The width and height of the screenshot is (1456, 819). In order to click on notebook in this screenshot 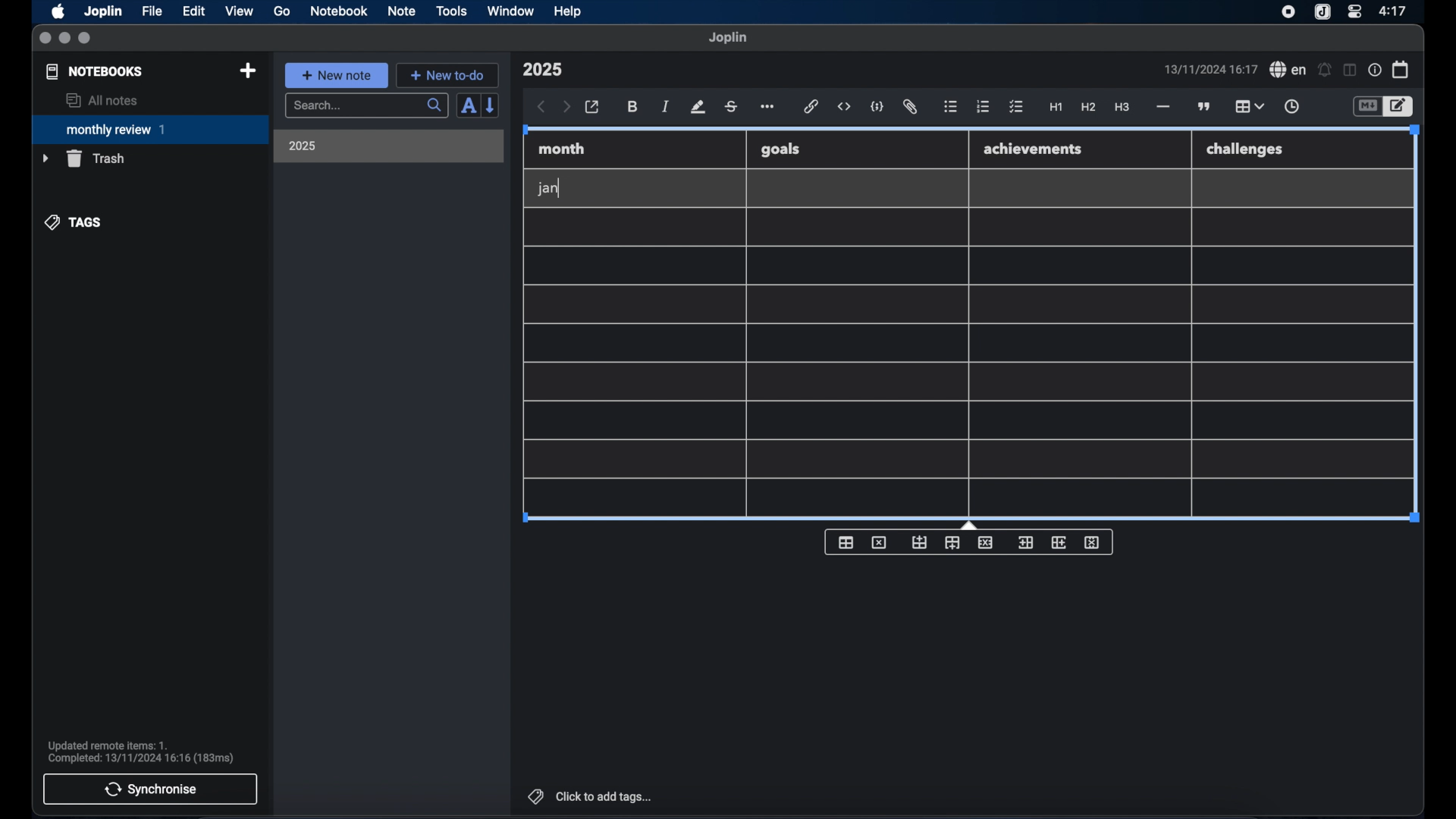, I will do `click(339, 11)`.